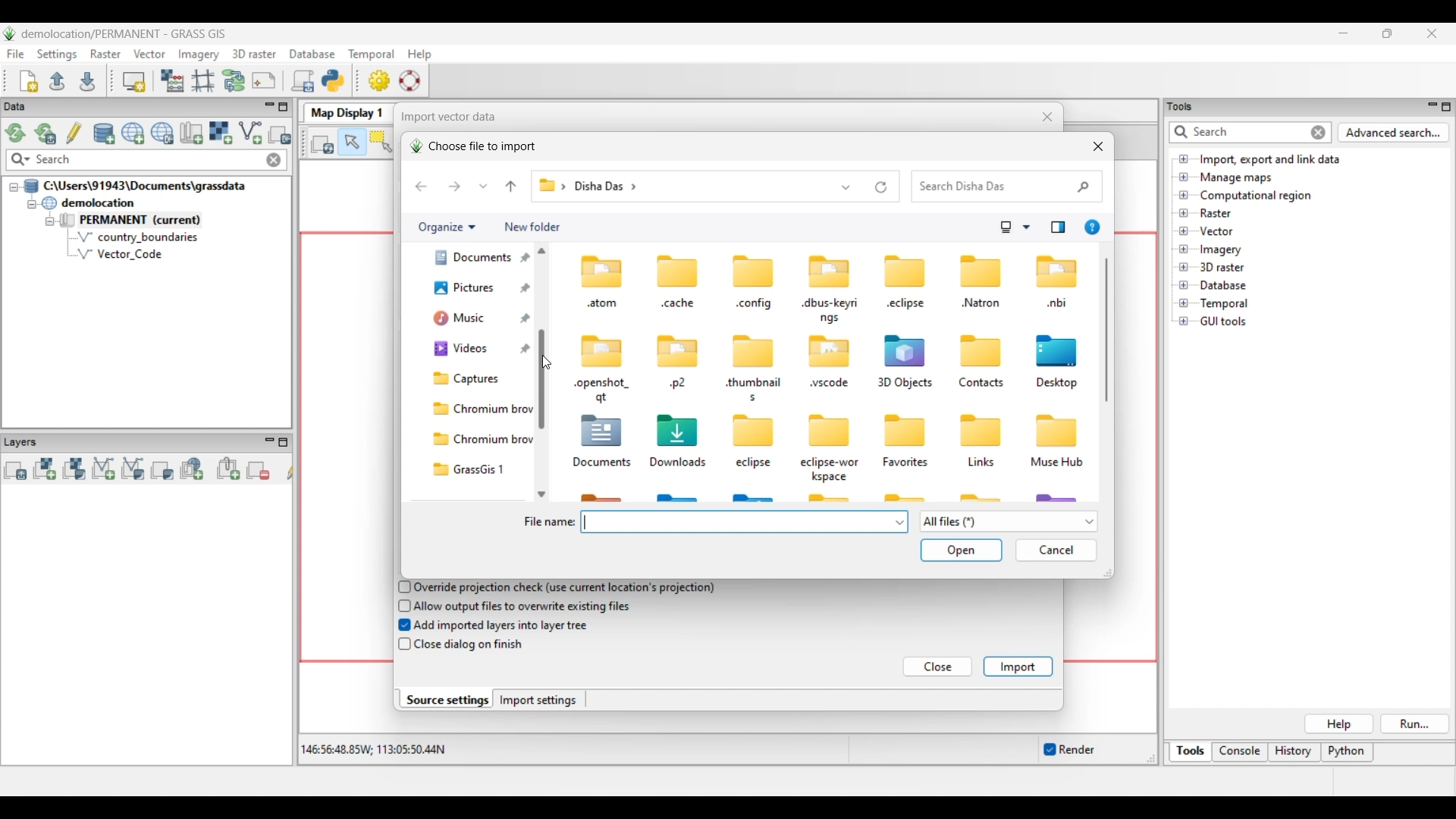 This screenshot has height=819, width=1456. I want to click on Close window, so click(1048, 117).